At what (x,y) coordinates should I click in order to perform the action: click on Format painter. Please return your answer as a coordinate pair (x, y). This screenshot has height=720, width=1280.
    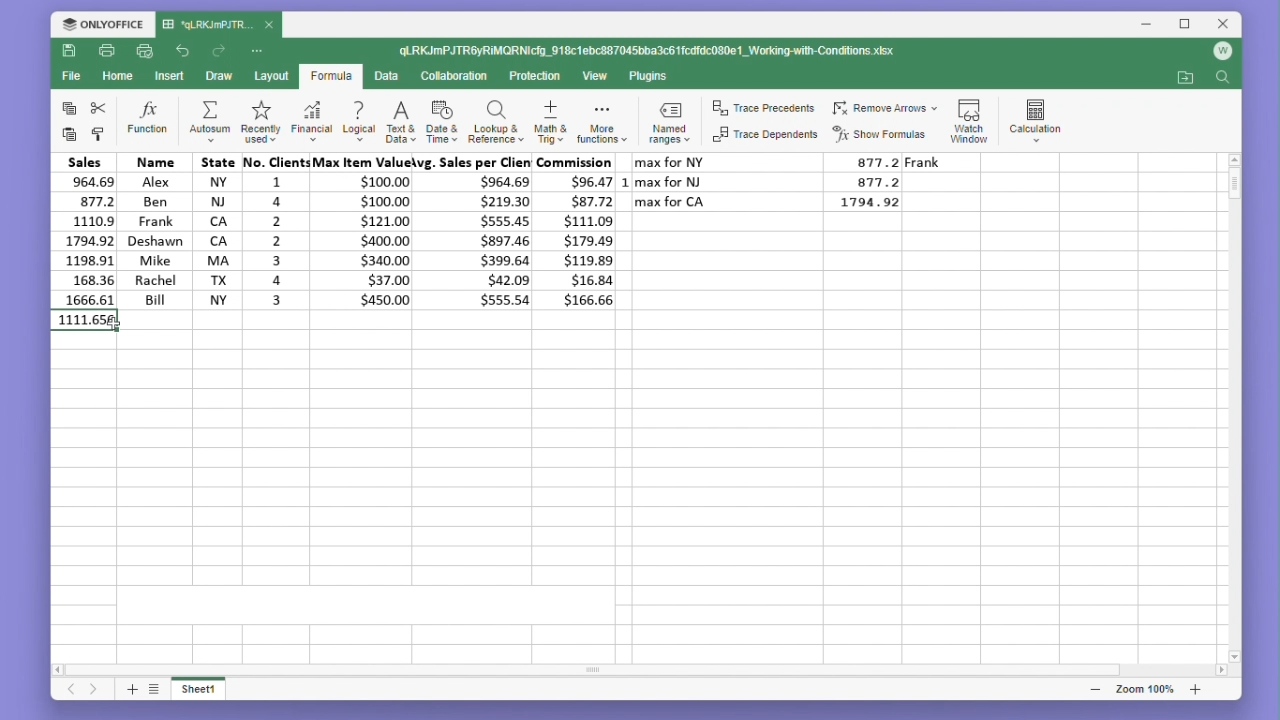
    Looking at the image, I should click on (98, 135).